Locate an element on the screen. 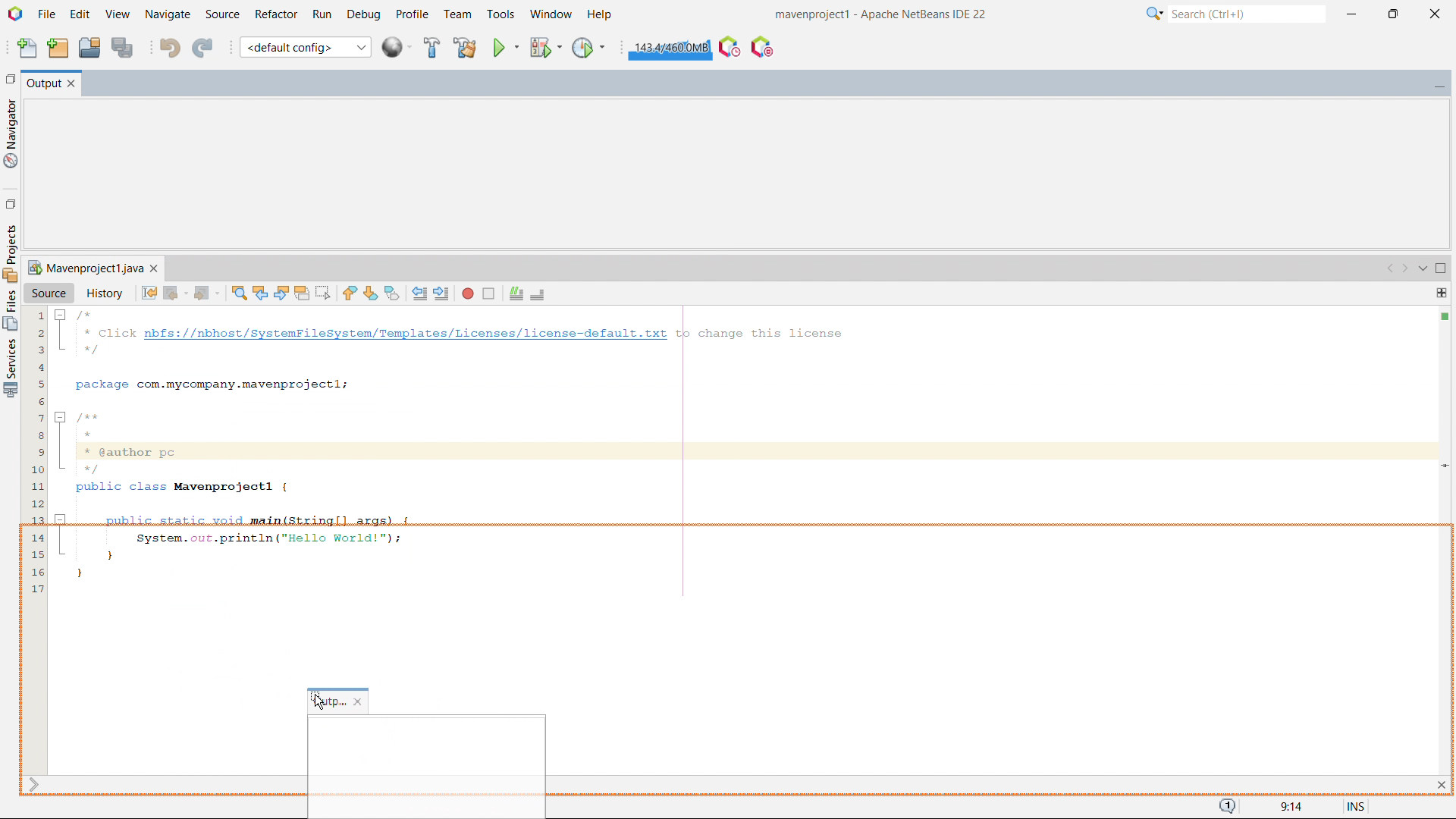 This screenshot has width=1456, height=819. A simple Java class that prints "Hello World" to the console. is located at coordinates (741, 450).